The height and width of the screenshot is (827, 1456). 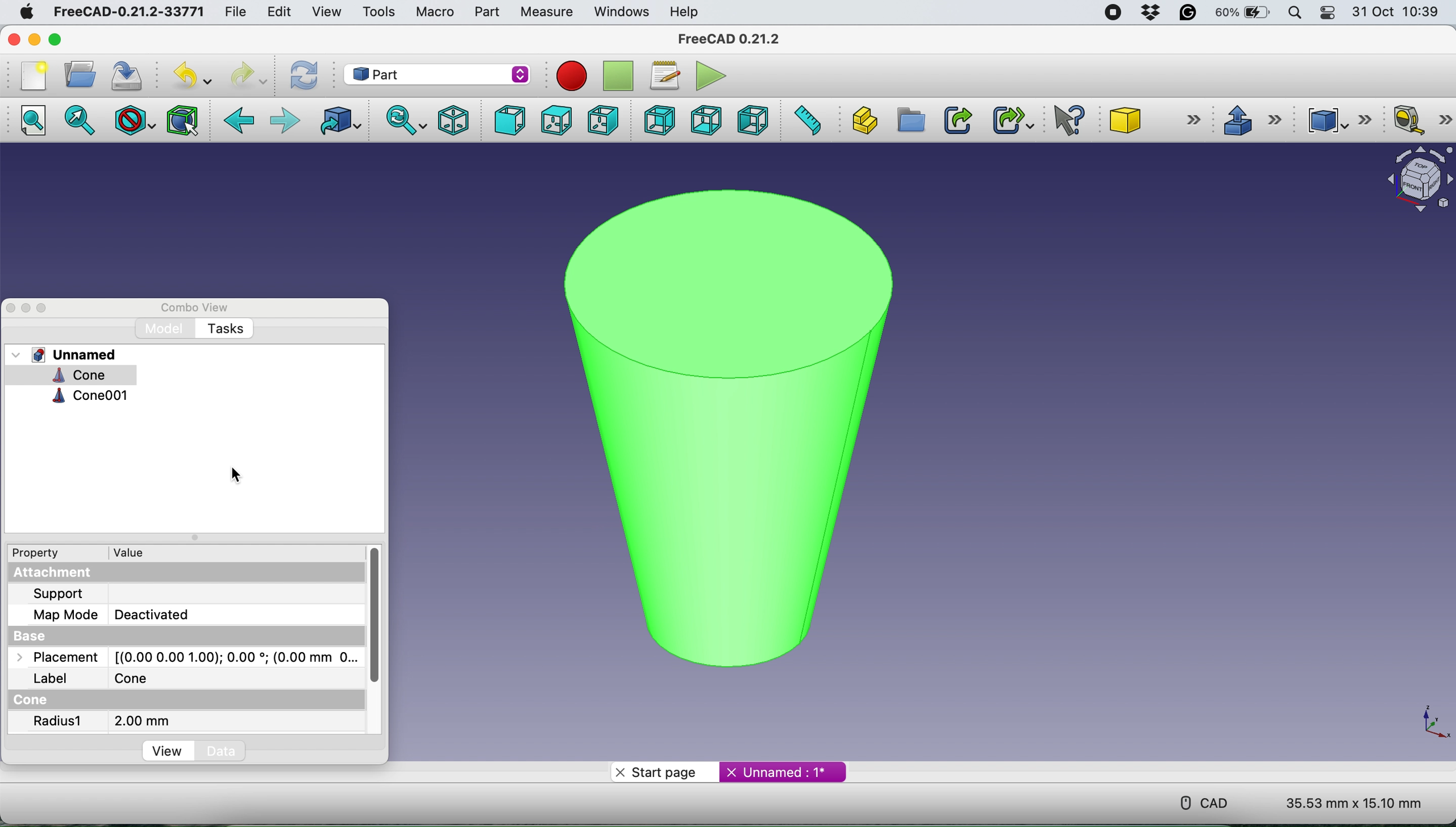 What do you see at coordinates (720, 420) in the screenshot?
I see `cone` at bounding box center [720, 420].